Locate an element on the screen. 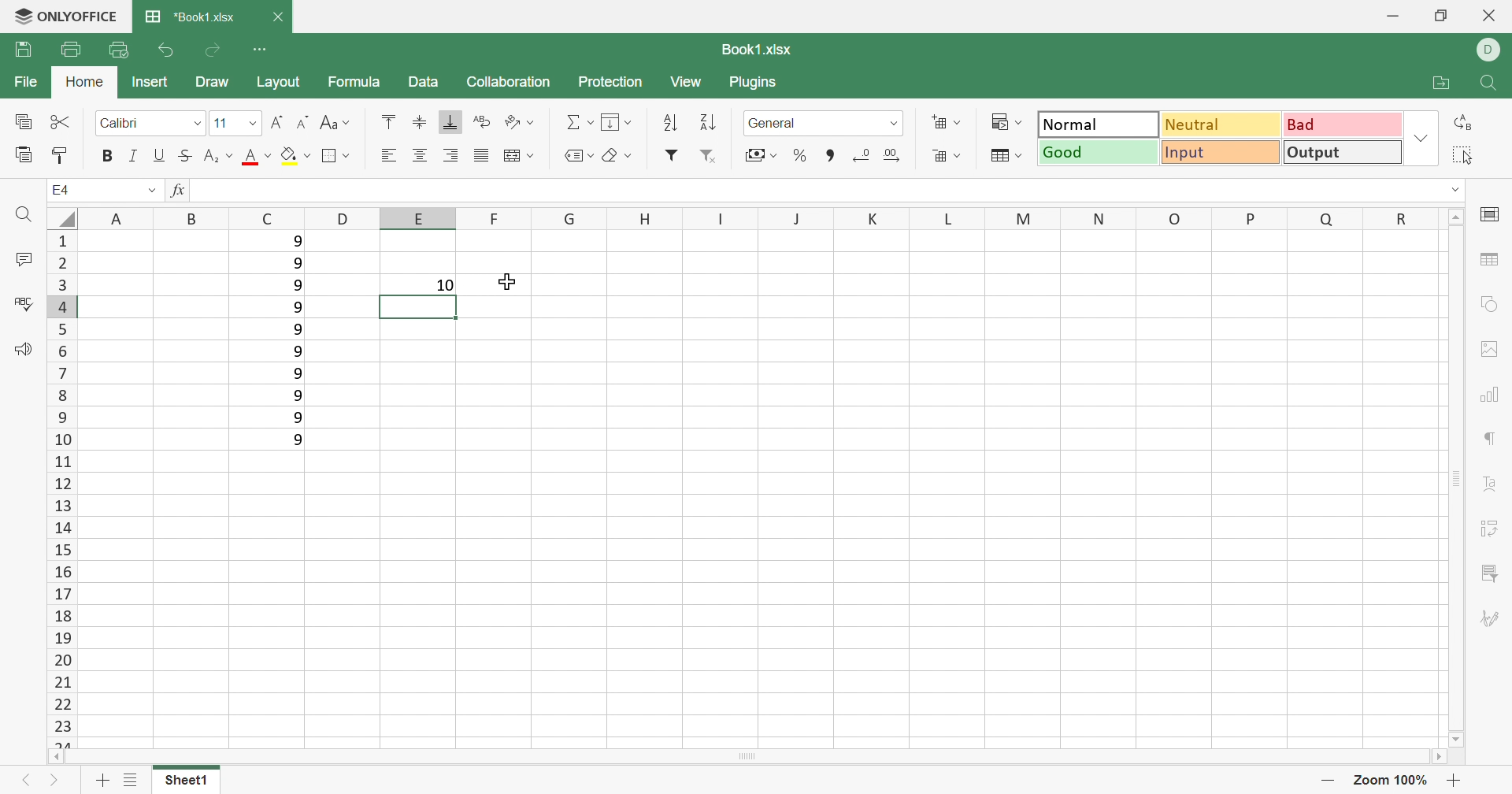 This screenshot has width=1512, height=794. Minimize is located at coordinates (1387, 13).